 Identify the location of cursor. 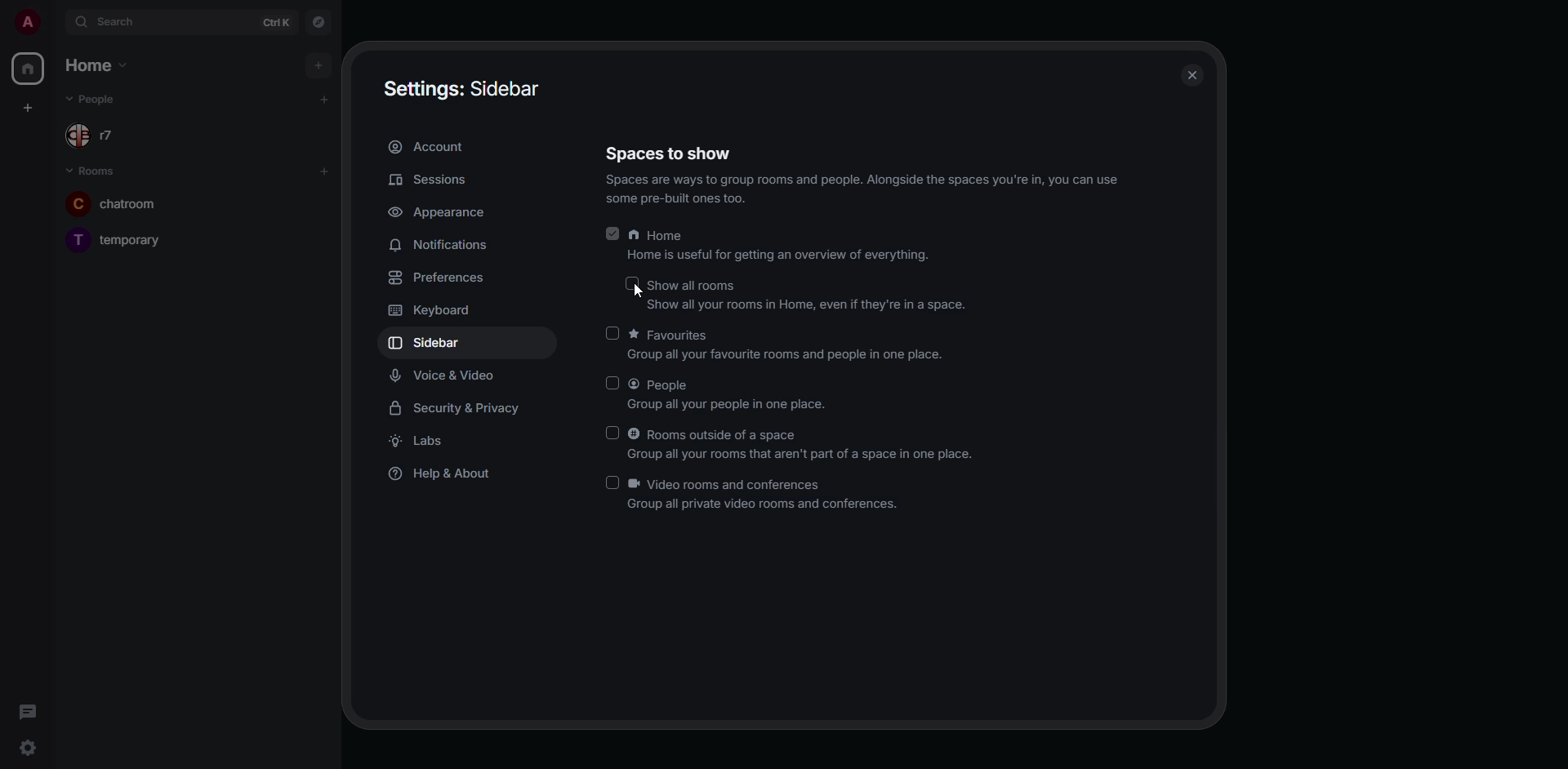
(638, 289).